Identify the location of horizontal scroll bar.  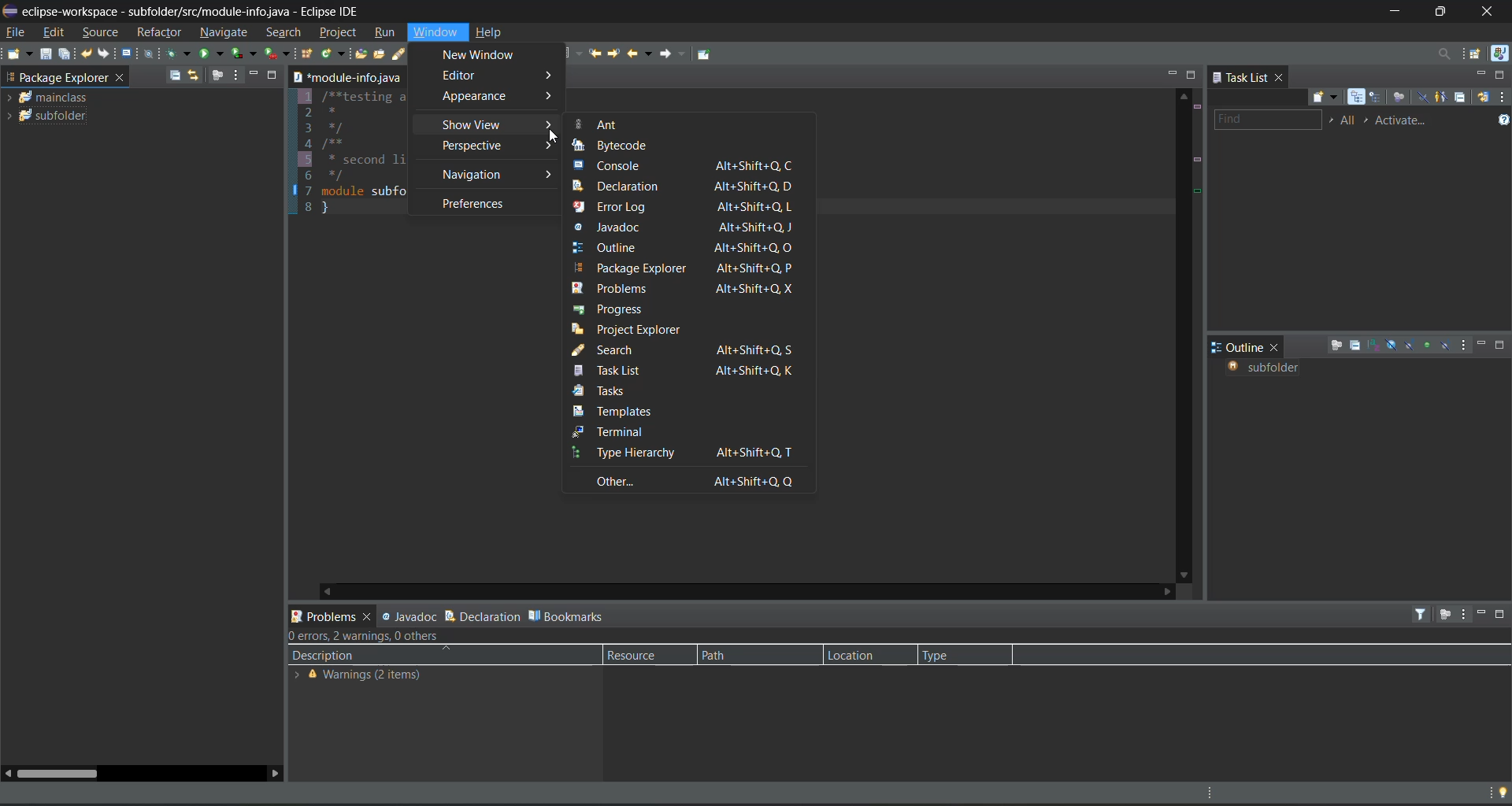
(57, 773).